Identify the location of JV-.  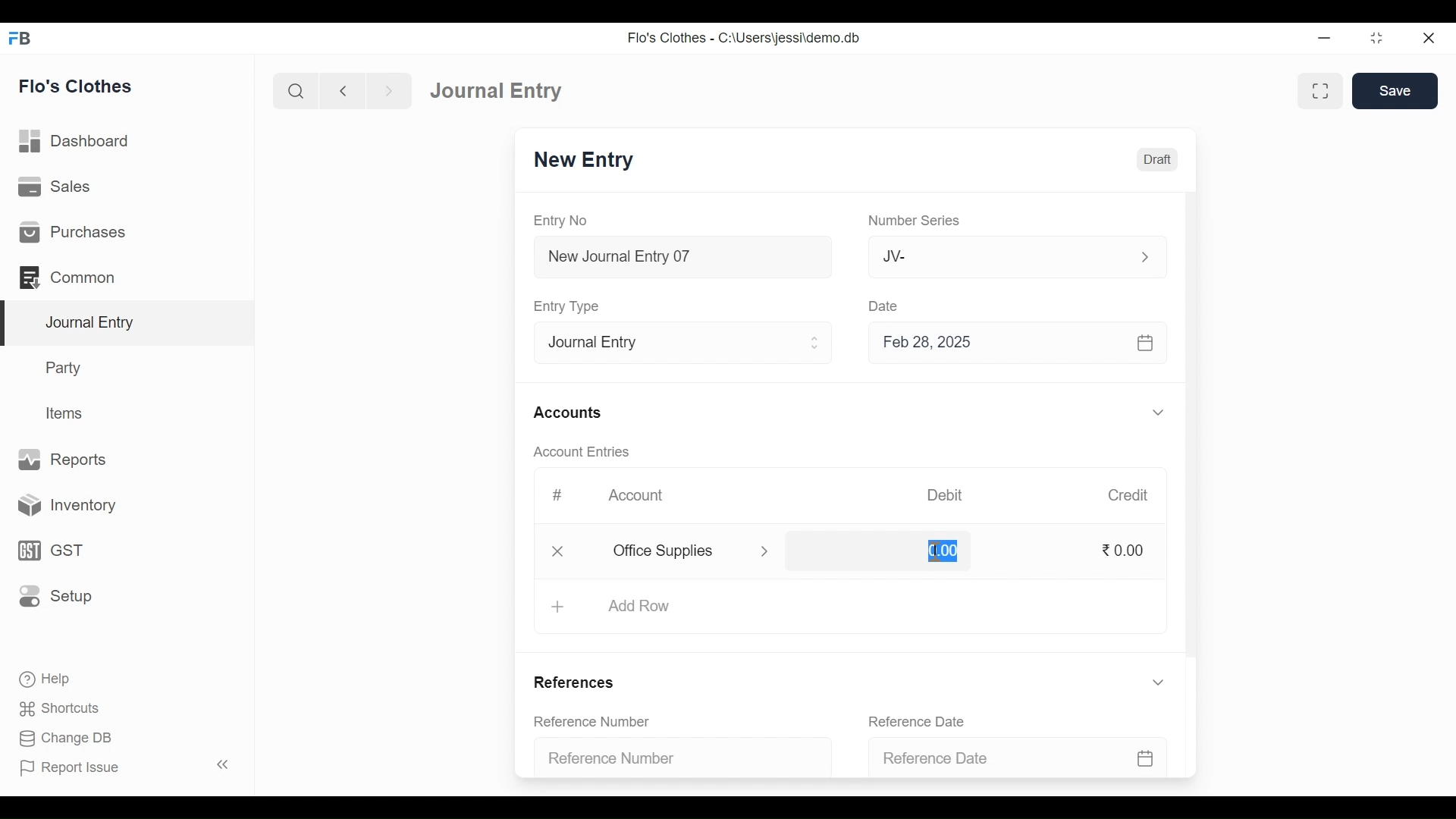
(990, 257).